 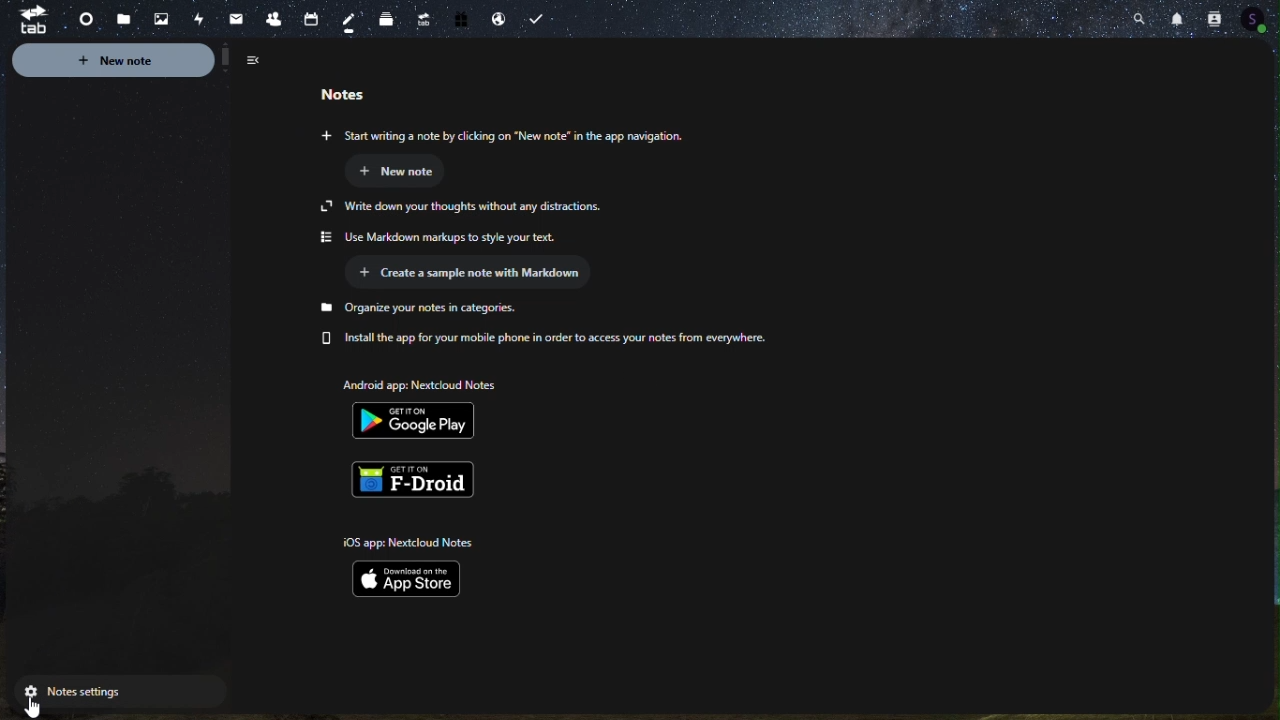 What do you see at coordinates (355, 22) in the screenshot?
I see `Notes` at bounding box center [355, 22].